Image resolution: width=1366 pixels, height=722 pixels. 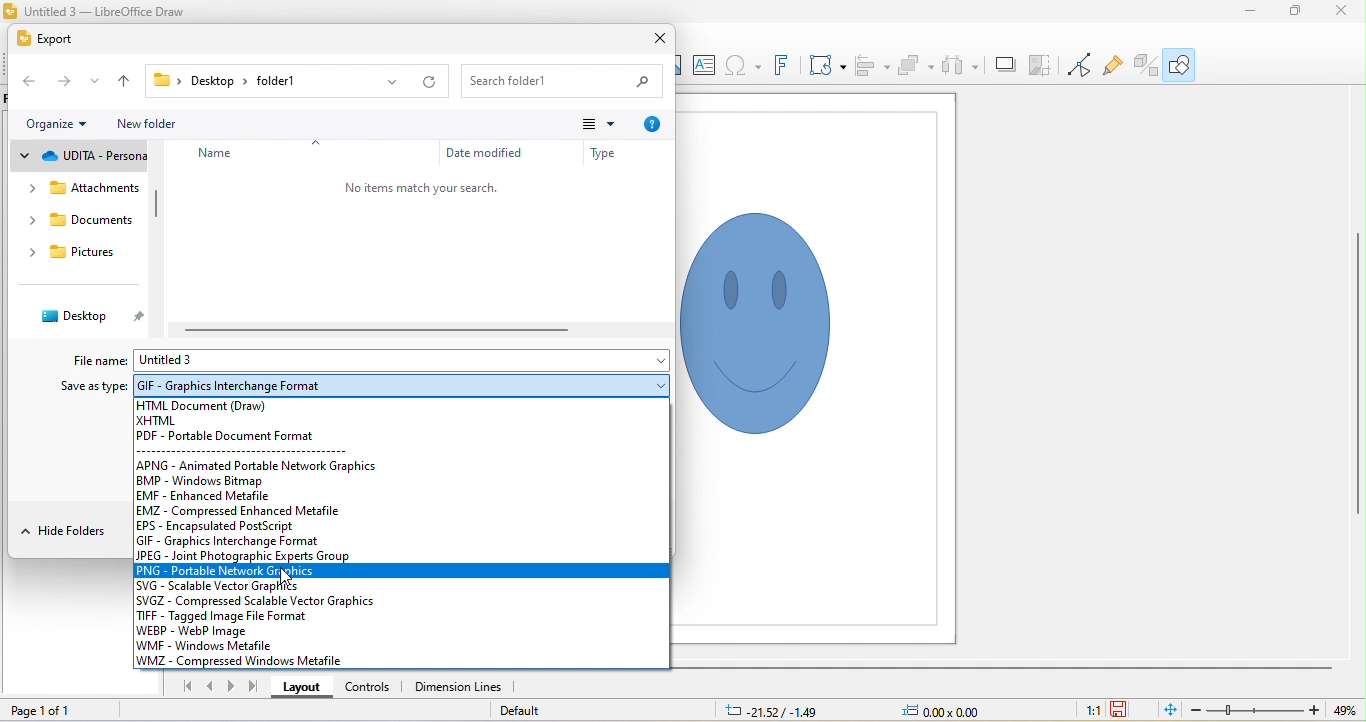 I want to click on up to previous, so click(x=126, y=80).